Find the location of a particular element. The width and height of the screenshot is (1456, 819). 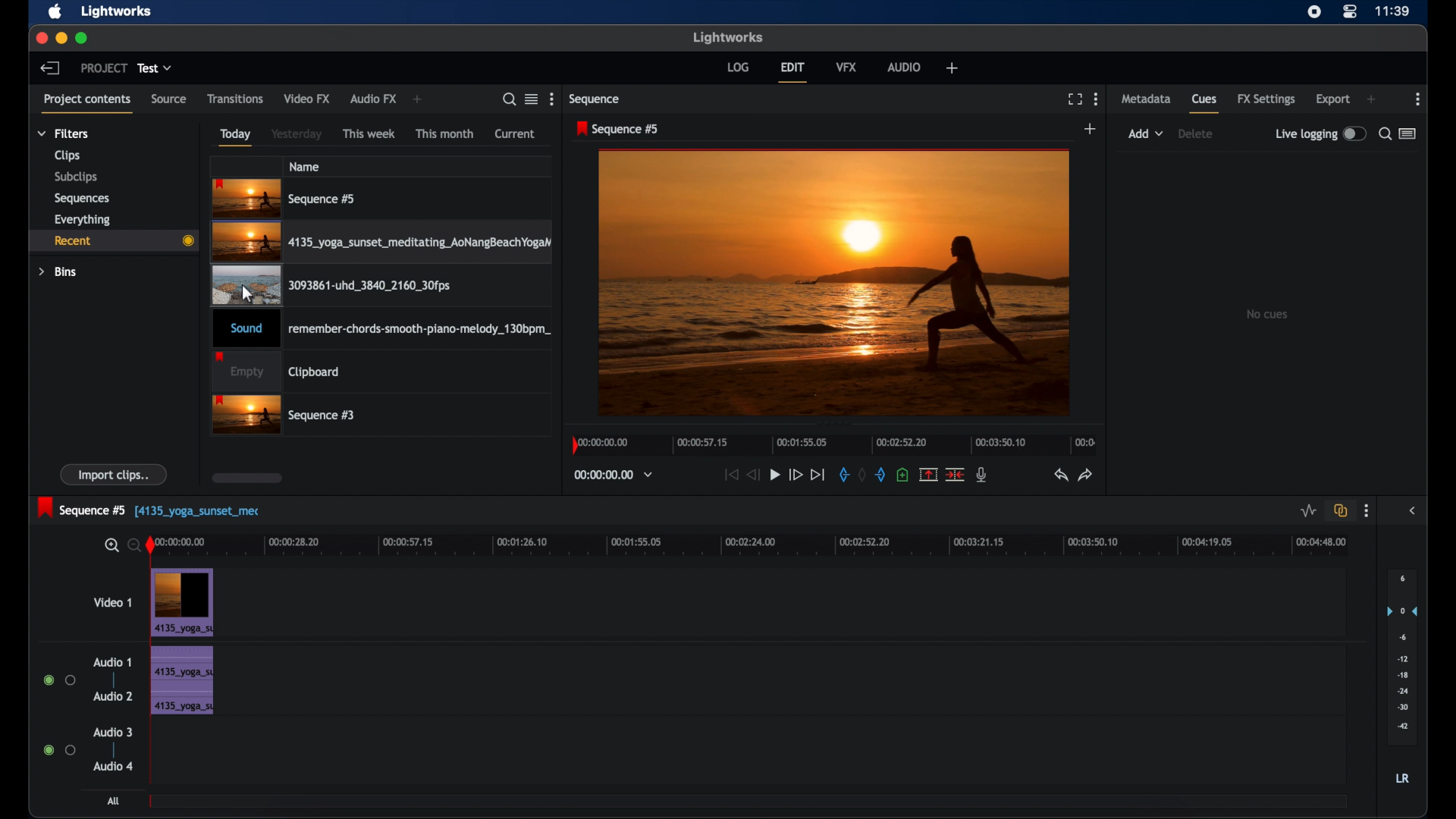

clear marks is located at coordinates (861, 474).